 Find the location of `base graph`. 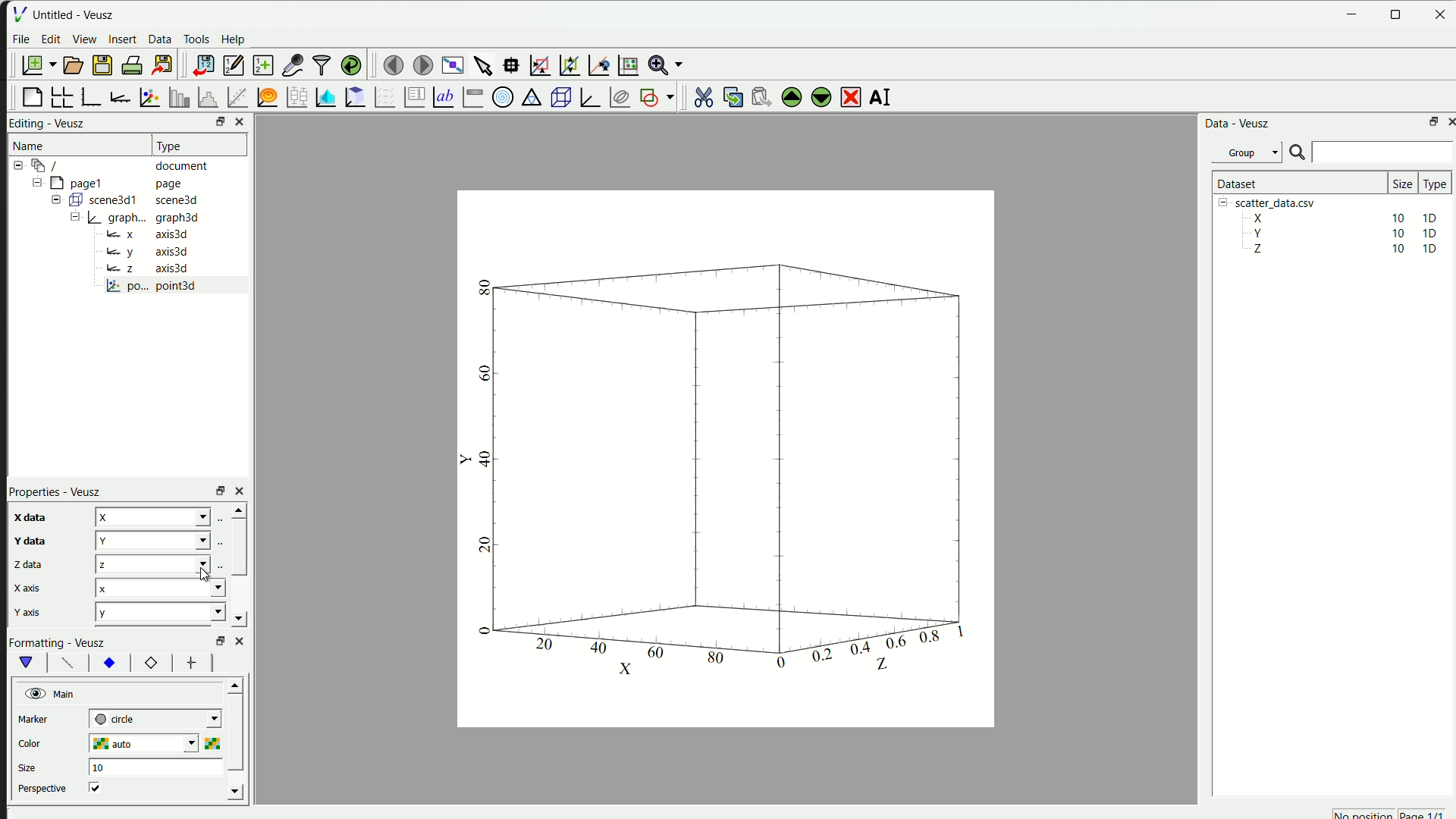

base graph is located at coordinates (91, 96).